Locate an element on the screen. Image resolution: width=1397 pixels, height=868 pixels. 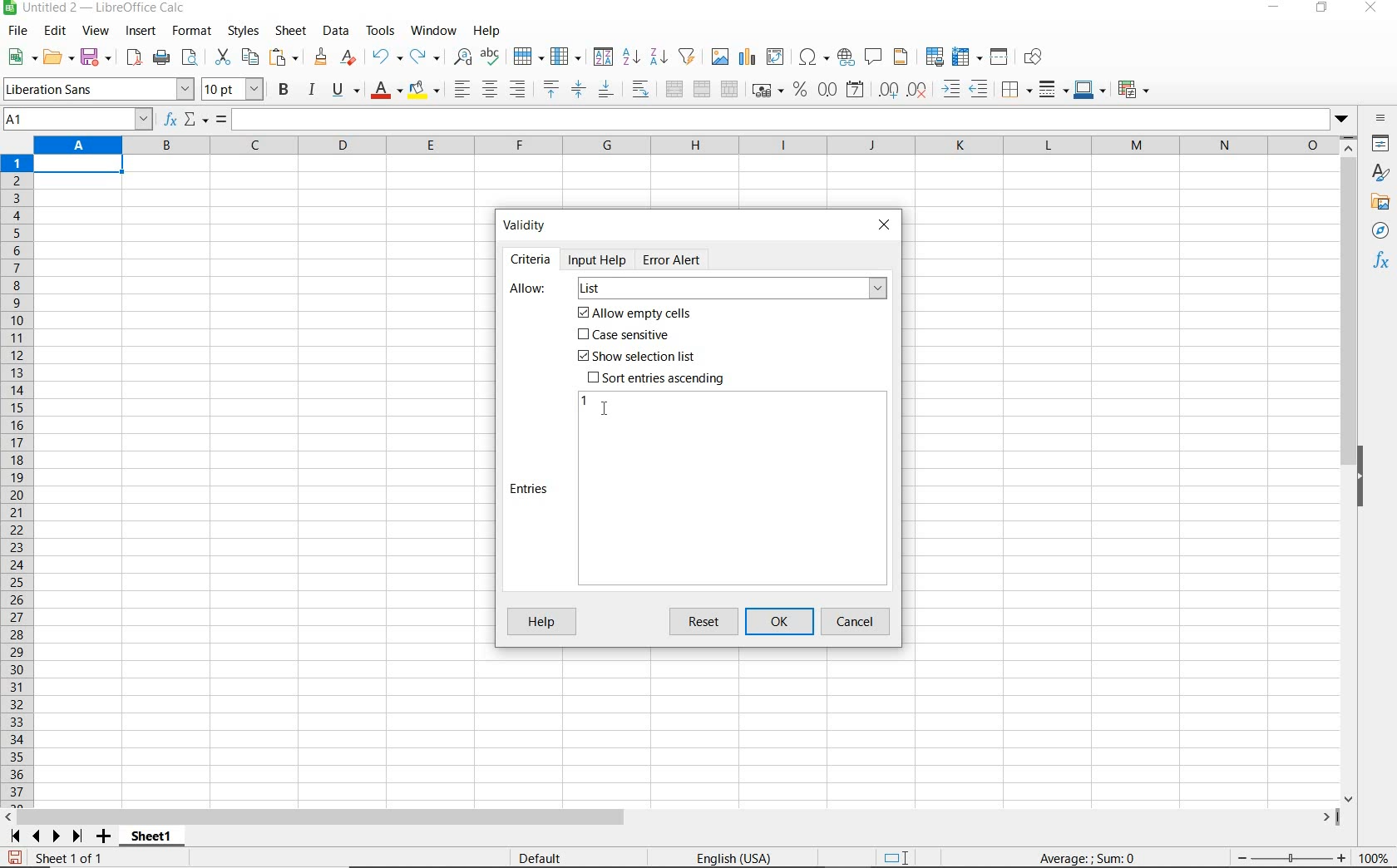
font size is located at coordinates (233, 89).